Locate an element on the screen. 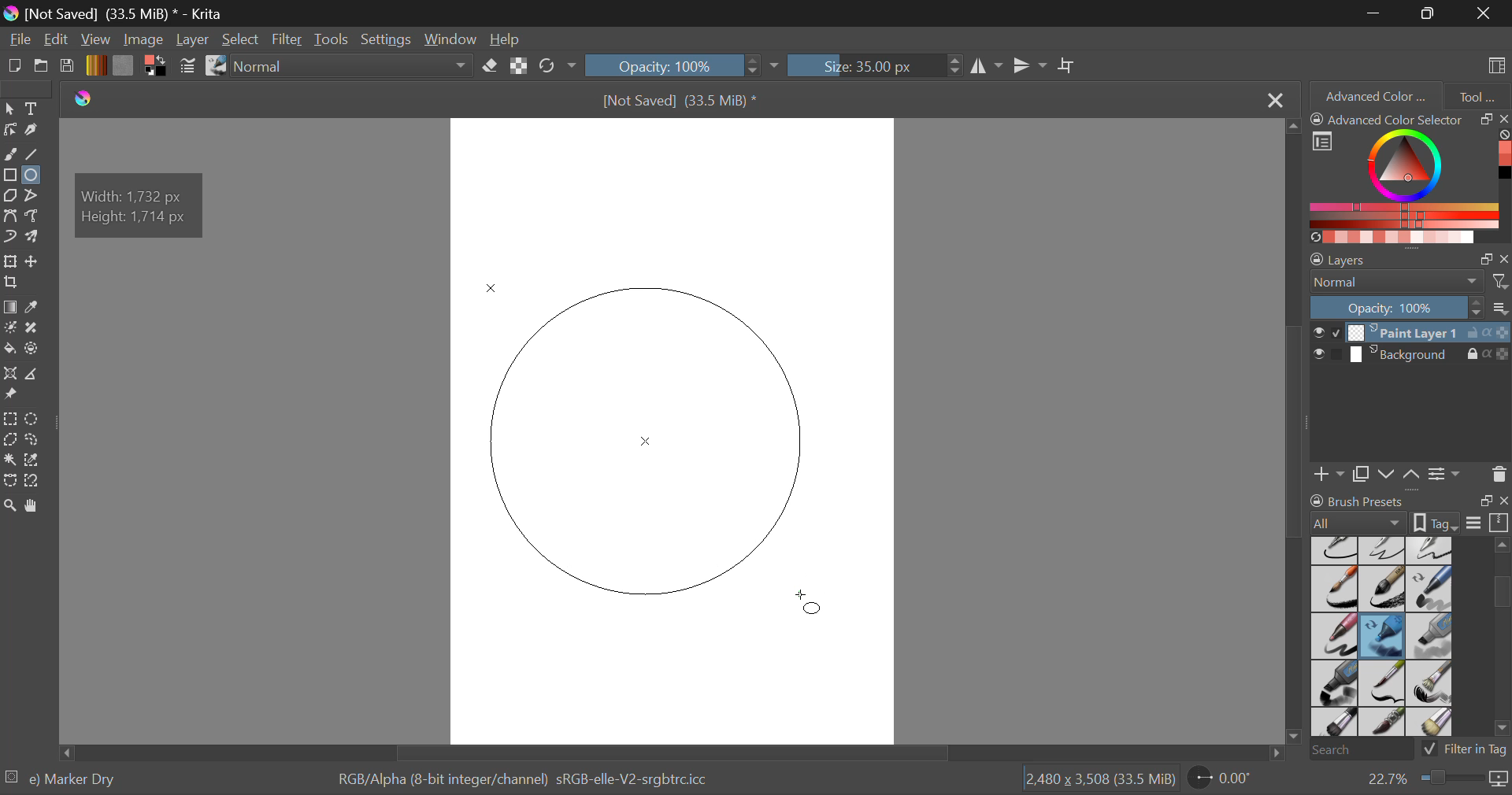 The width and height of the screenshot is (1512, 795). Calligraphic Tool is located at coordinates (35, 130).